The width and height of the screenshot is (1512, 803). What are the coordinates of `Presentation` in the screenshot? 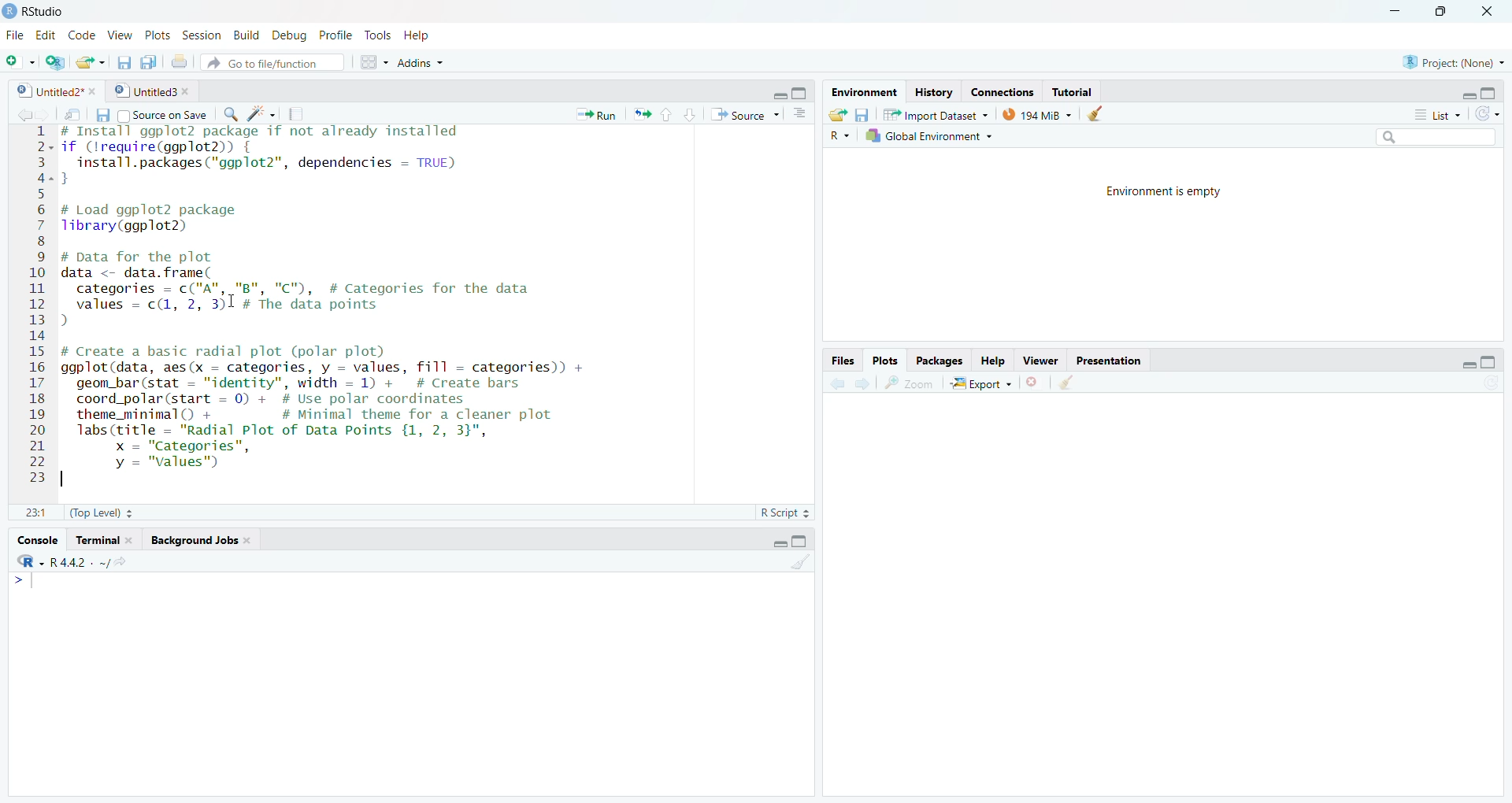 It's located at (1110, 359).